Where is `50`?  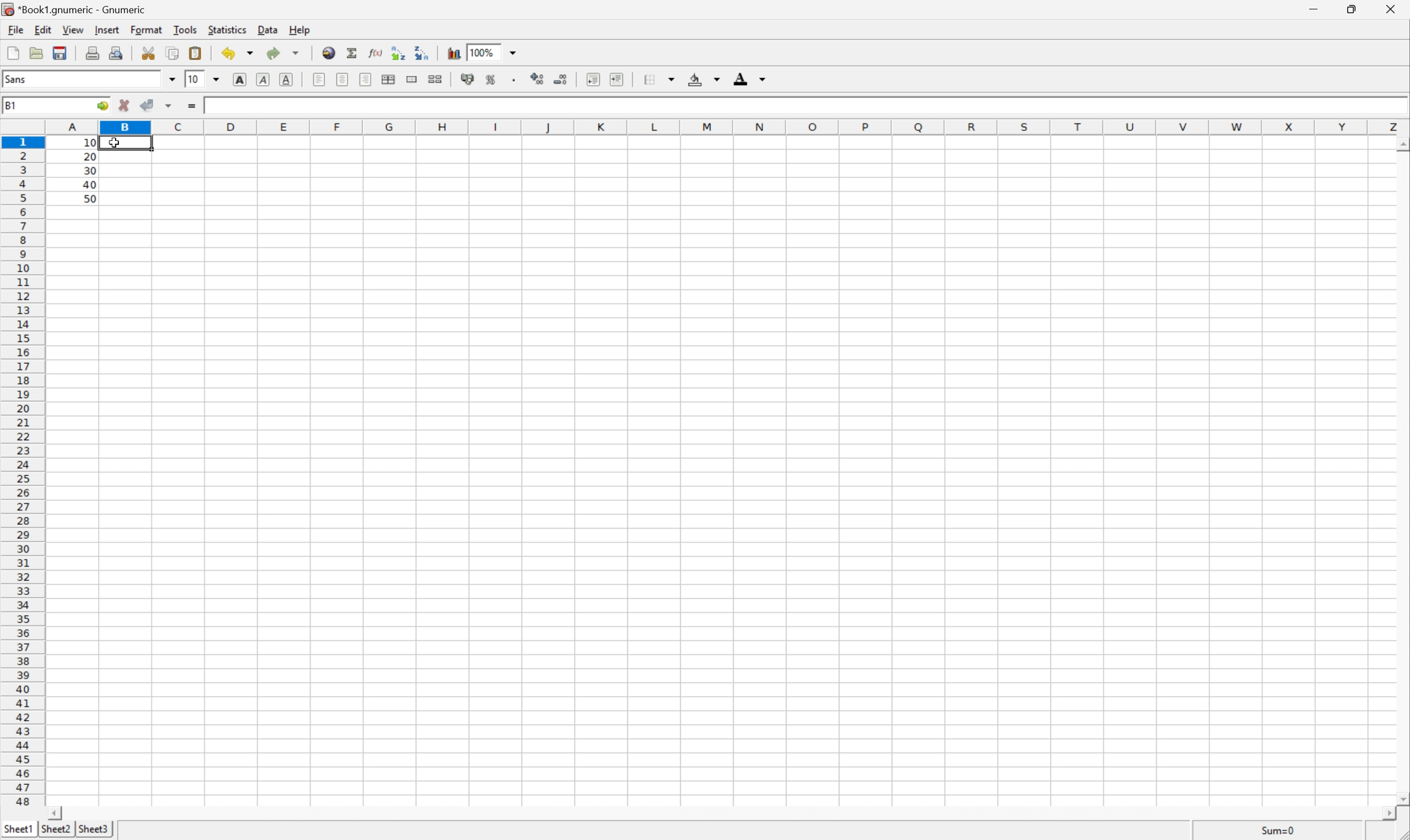 50 is located at coordinates (90, 199).